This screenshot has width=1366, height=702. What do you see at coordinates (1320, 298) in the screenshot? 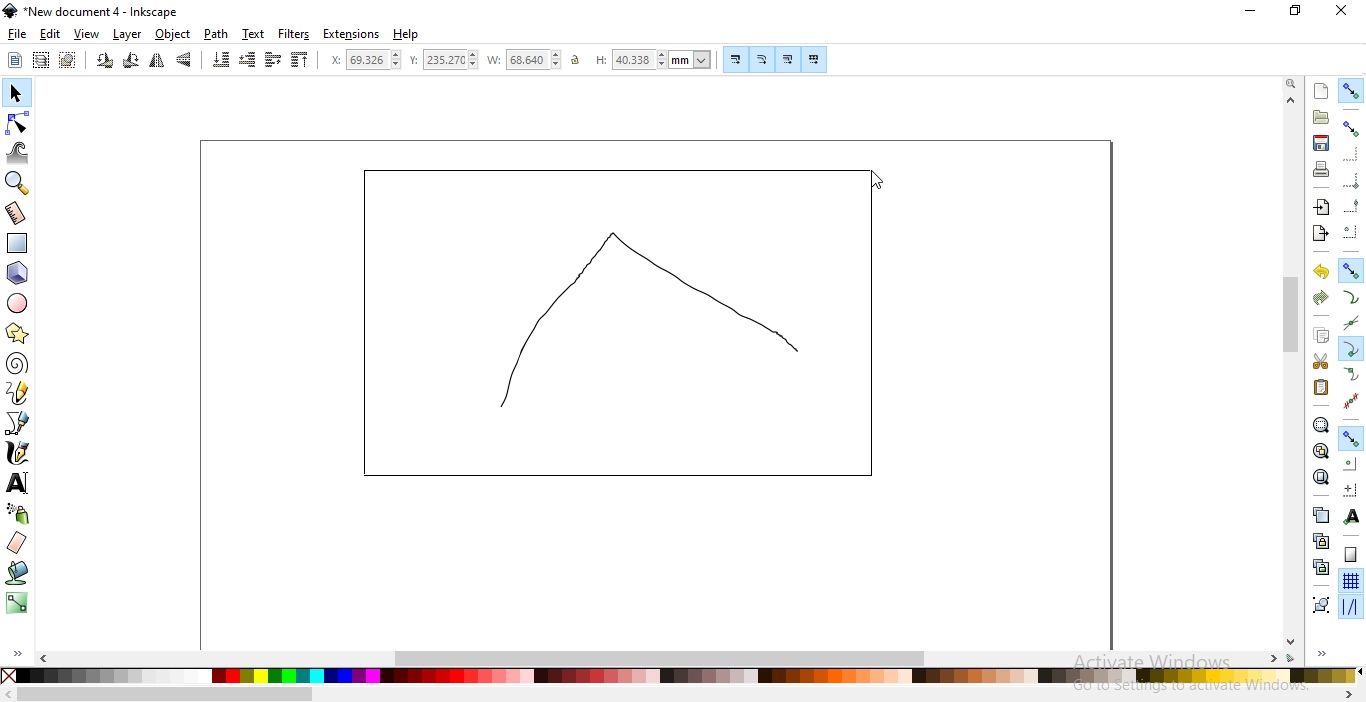
I see `redo` at bounding box center [1320, 298].